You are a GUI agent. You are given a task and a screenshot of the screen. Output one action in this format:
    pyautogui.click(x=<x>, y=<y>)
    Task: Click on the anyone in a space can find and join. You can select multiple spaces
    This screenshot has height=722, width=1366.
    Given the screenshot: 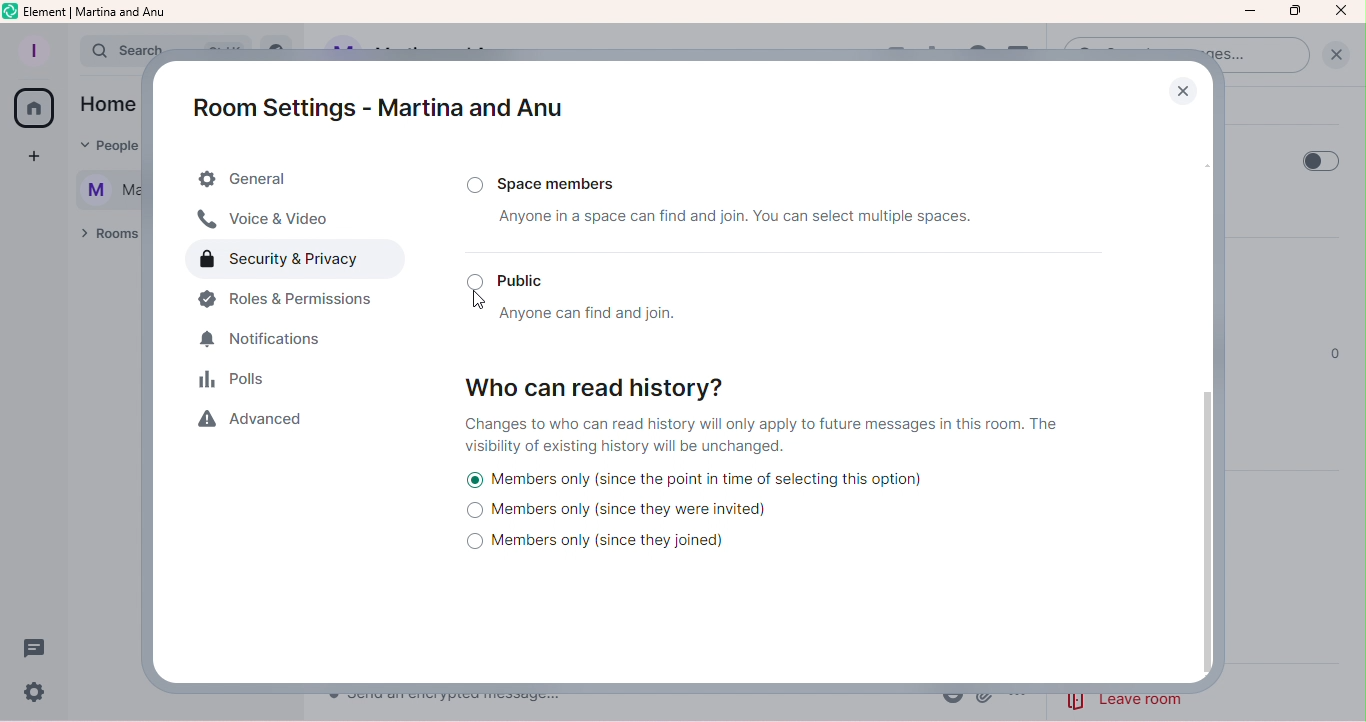 What is the action you would take?
    pyautogui.click(x=715, y=221)
    